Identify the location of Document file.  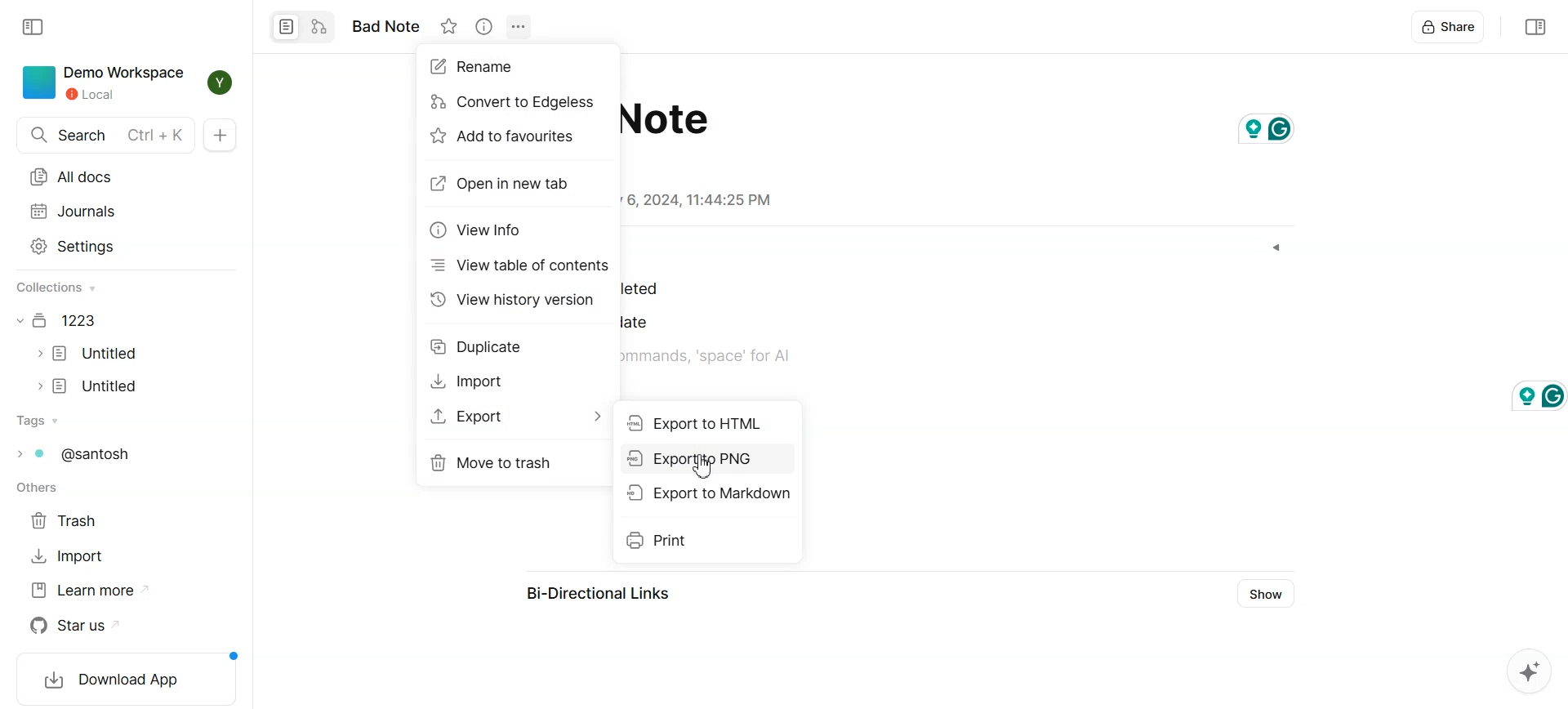
(88, 354).